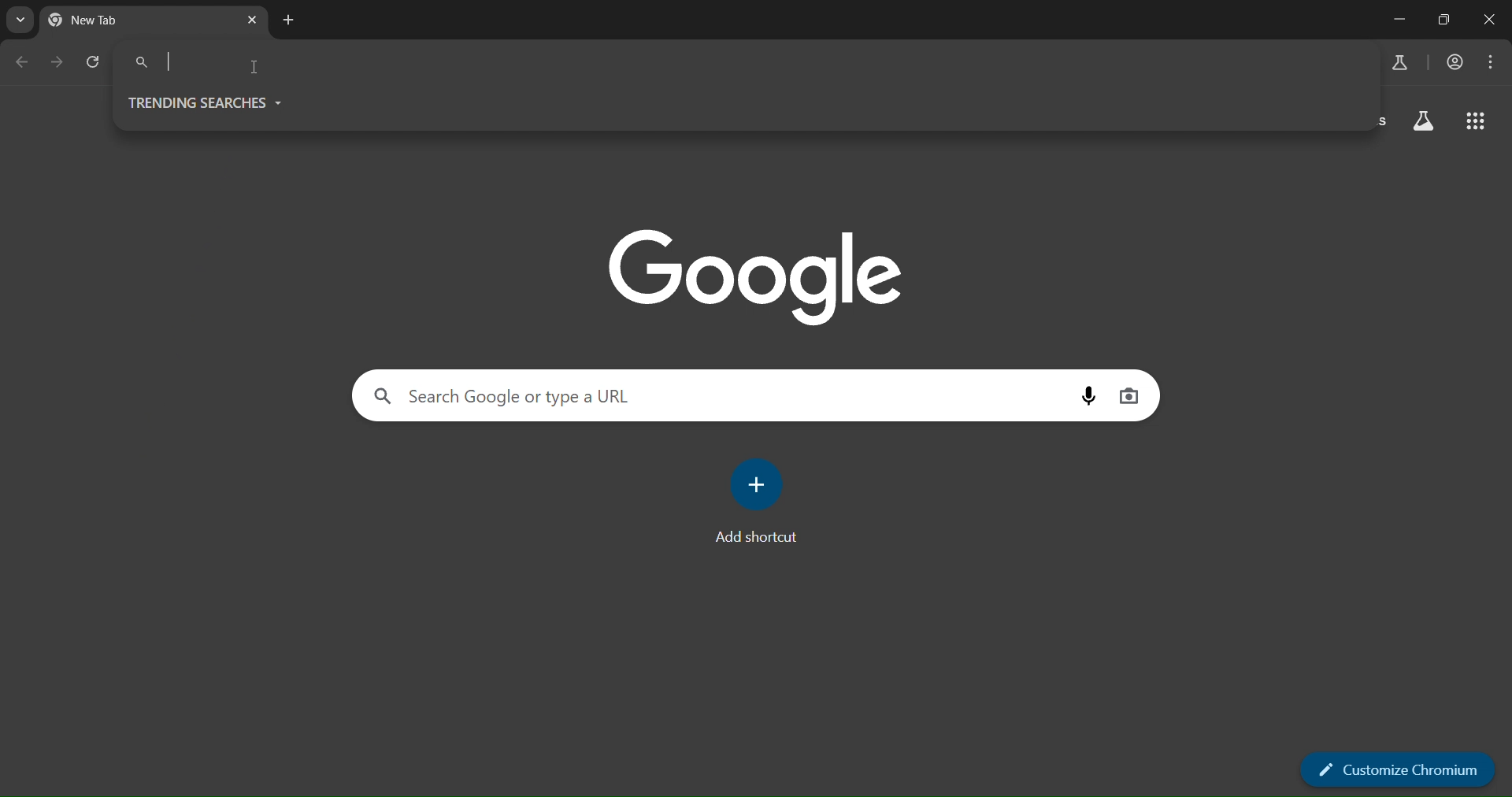 The width and height of the screenshot is (1512, 797). Describe the element at coordinates (128, 20) in the screenshot. I see `currenttab` at that location.